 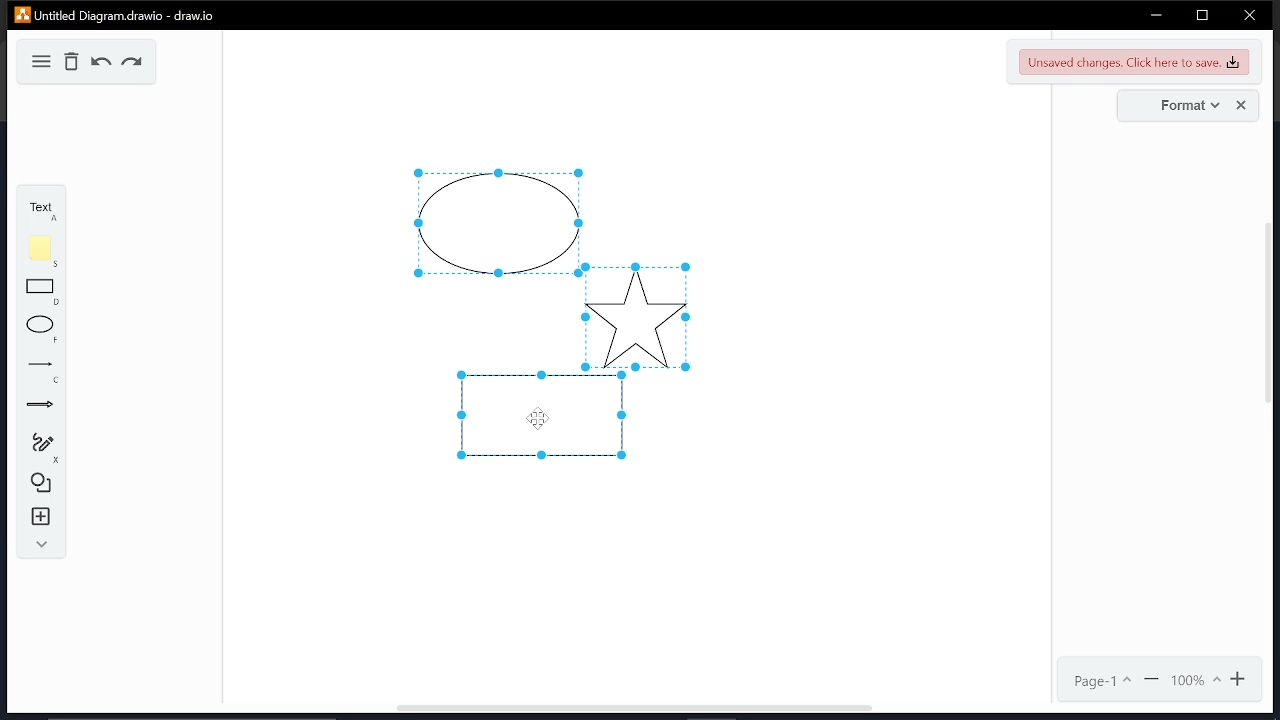 I want to click on restore down, so click(x=1202, y=15).